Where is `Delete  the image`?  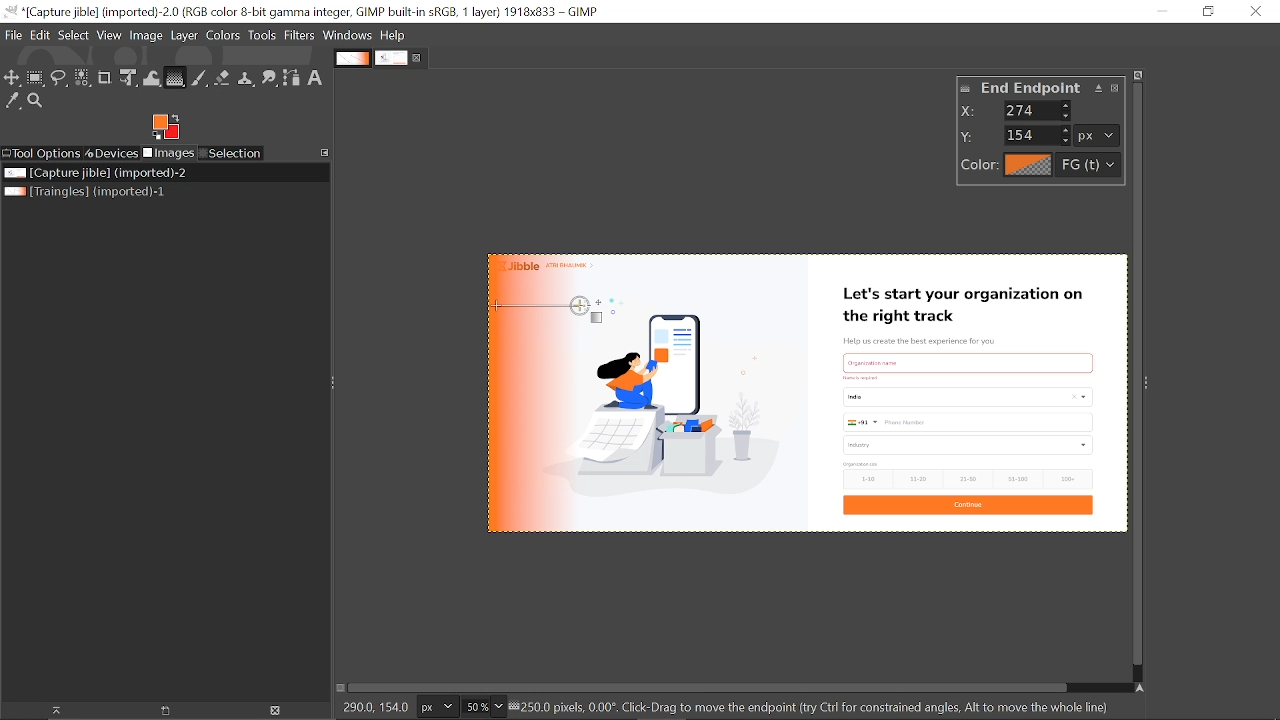
Delete  the image is located at coordinates (278, 711).